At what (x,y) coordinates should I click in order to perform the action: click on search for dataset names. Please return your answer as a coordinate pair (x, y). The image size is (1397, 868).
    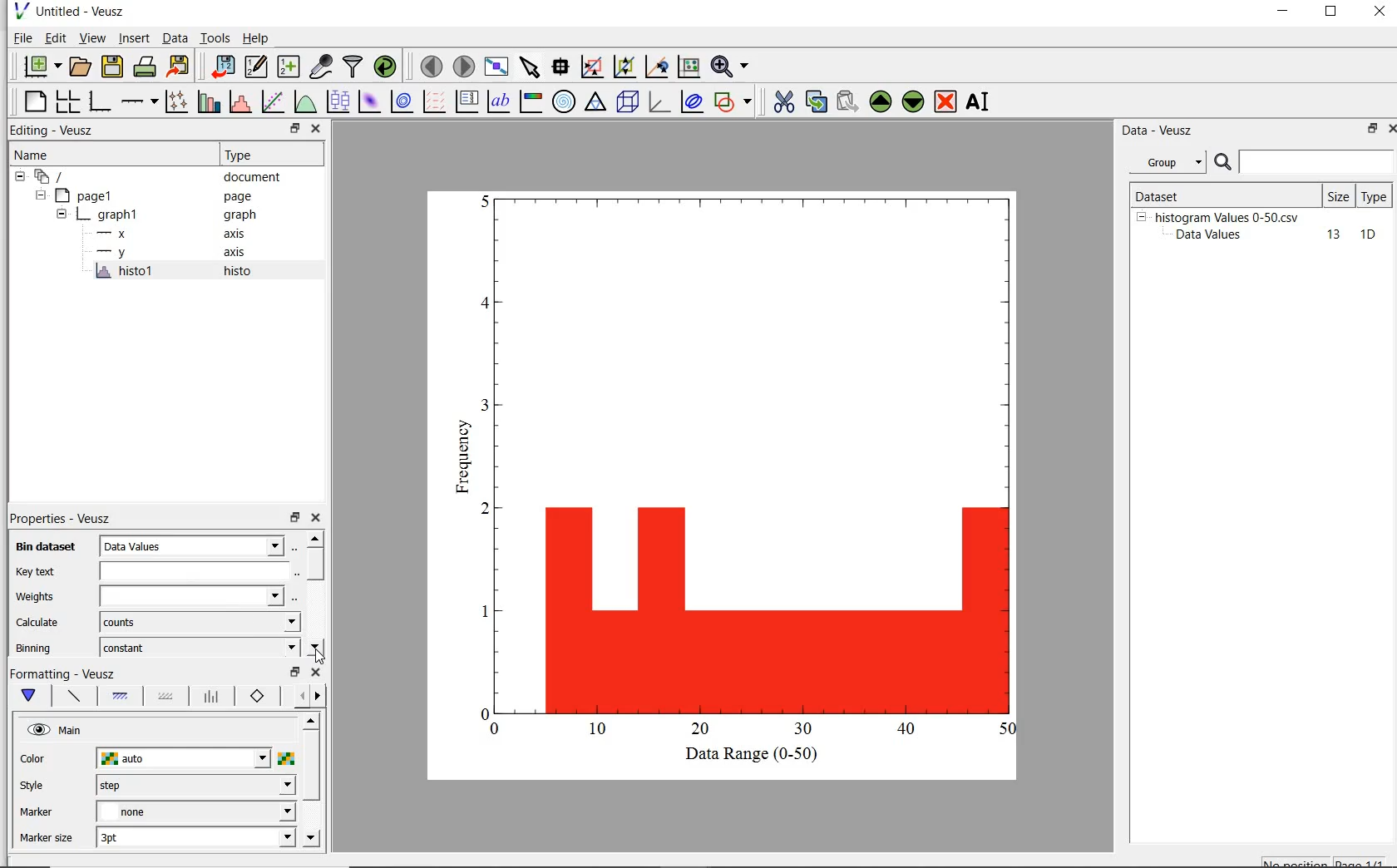
    Looking at the image, I should click on (1317, 162).